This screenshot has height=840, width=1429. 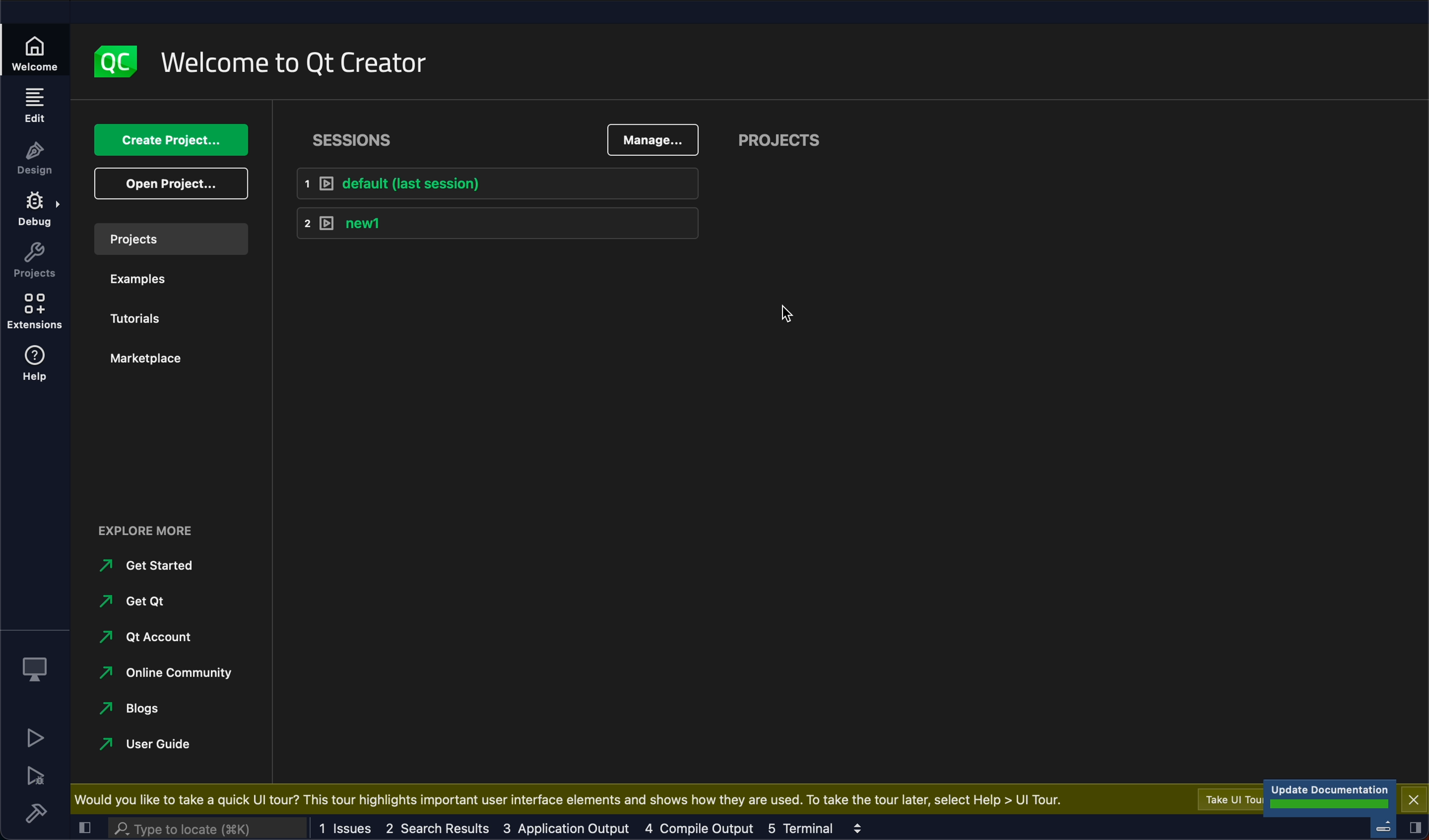 What do you see at coordinates (150, 599) in the screenshot?
I see `get qt` at bounding box center [150, 599].